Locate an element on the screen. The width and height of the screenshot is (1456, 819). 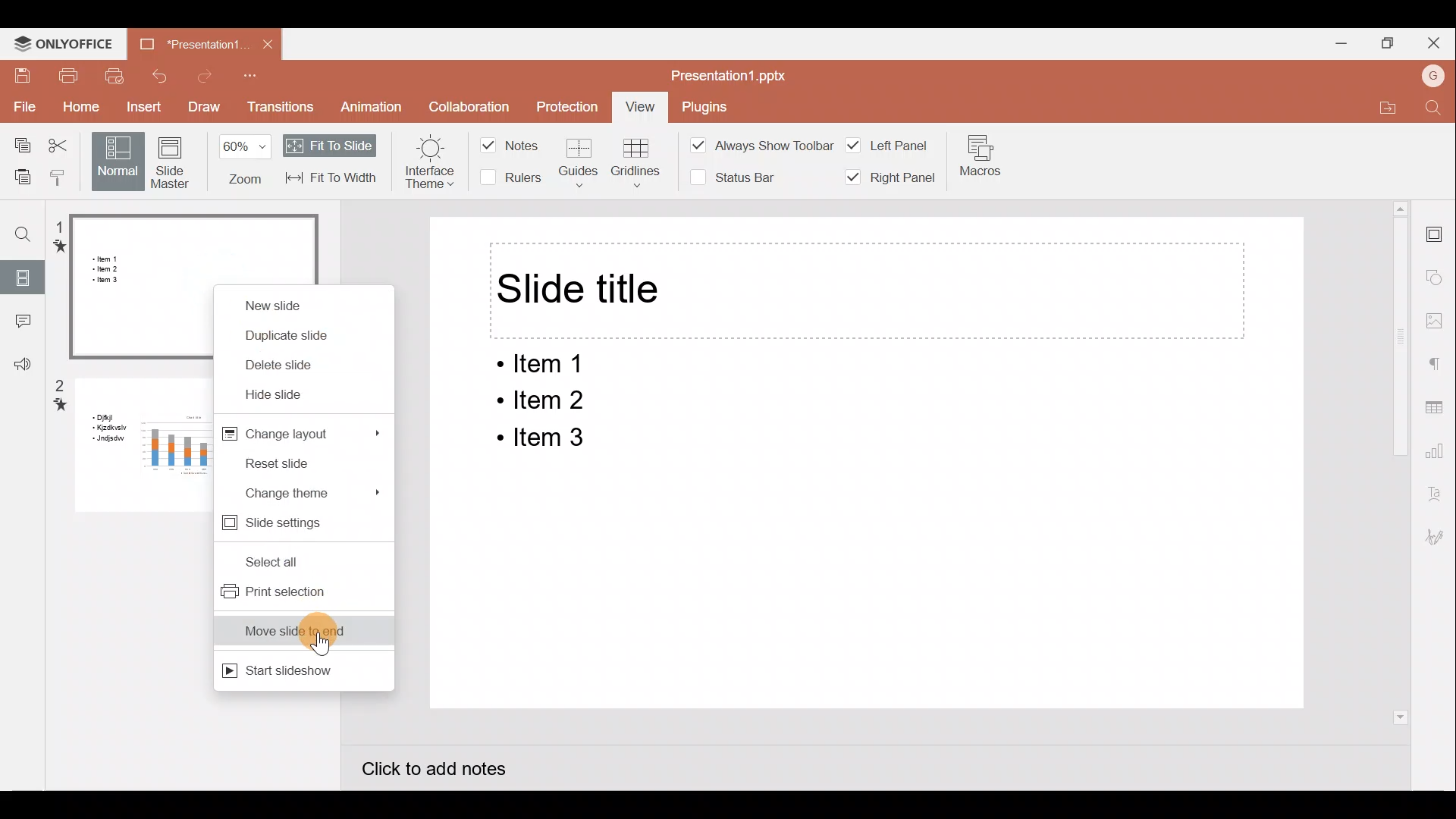
Shapes settings is located at coordinates (1437, 275).